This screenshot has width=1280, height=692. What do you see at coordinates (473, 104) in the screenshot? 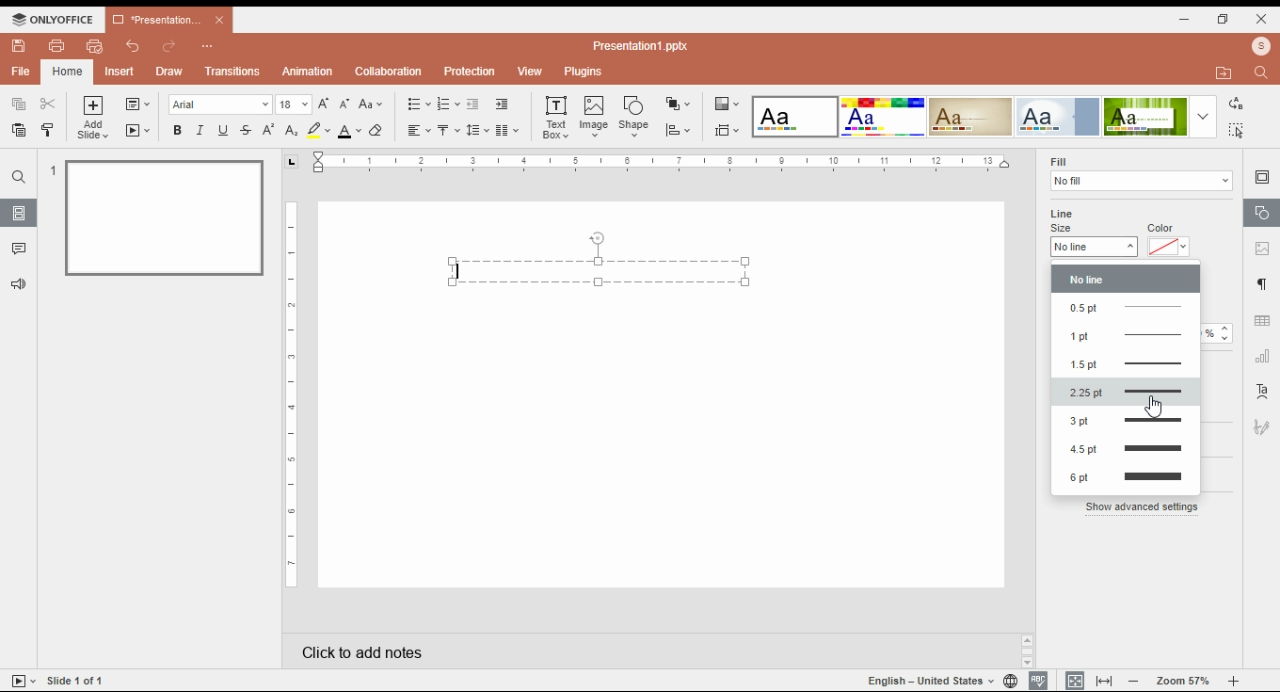
I see `decrease indent` at bounding box center [473, 104].